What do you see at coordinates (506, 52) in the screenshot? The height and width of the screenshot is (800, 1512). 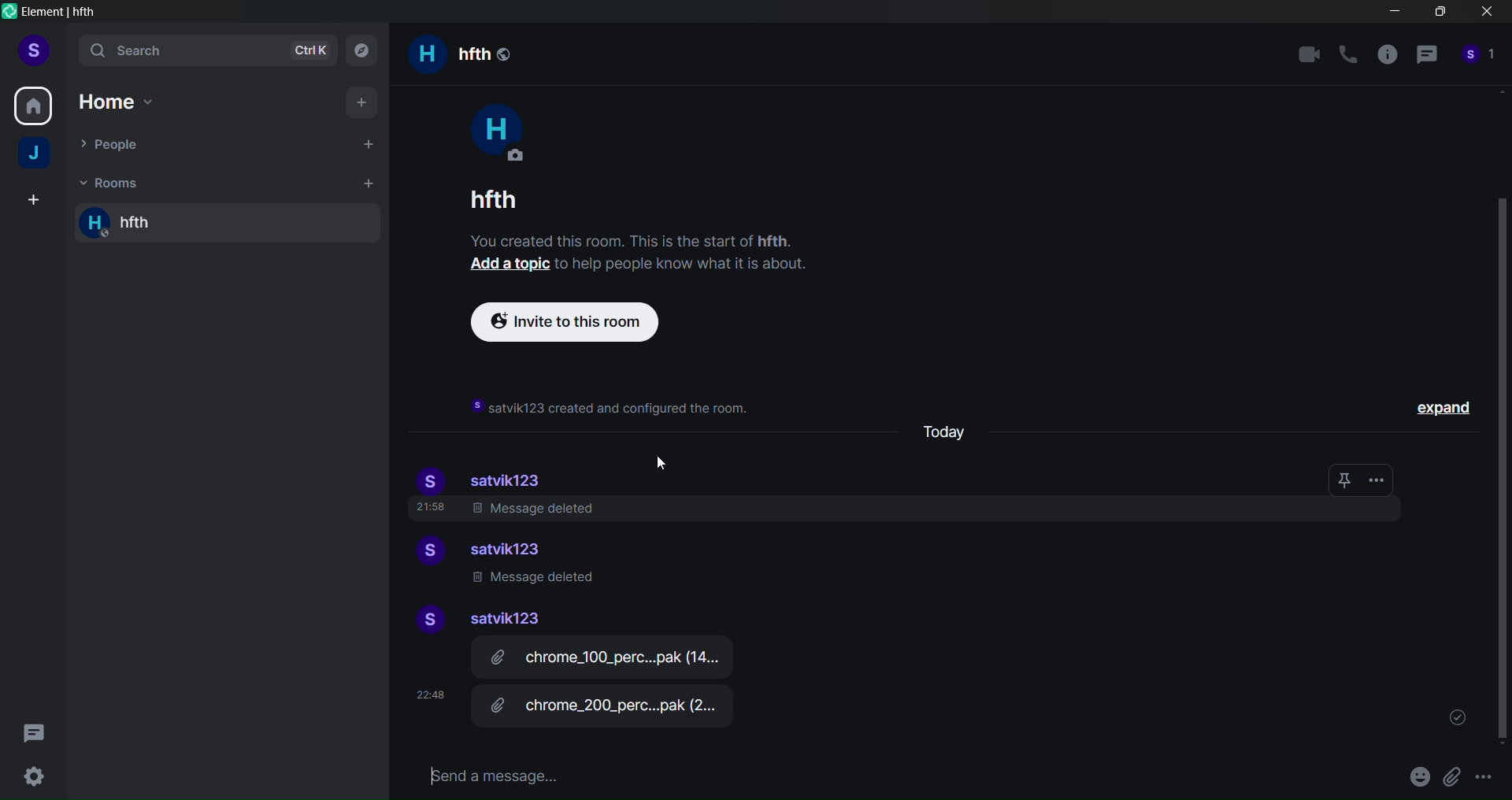 I see `public room` at bounding box center [506, 52].